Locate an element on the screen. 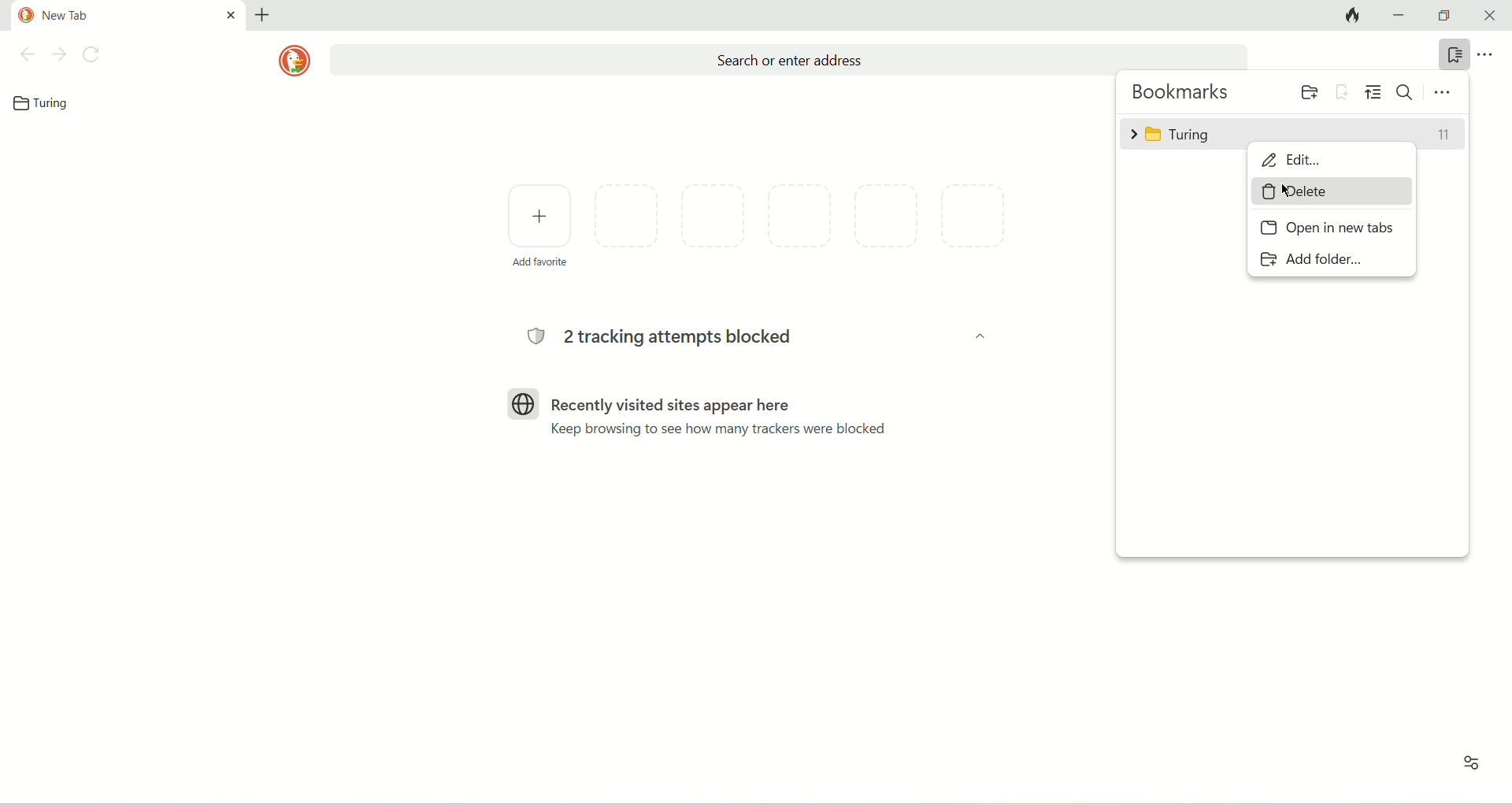 The height and width of the screenshot is (805, 1512). bookmarks is located at coordinates (1183, 93).